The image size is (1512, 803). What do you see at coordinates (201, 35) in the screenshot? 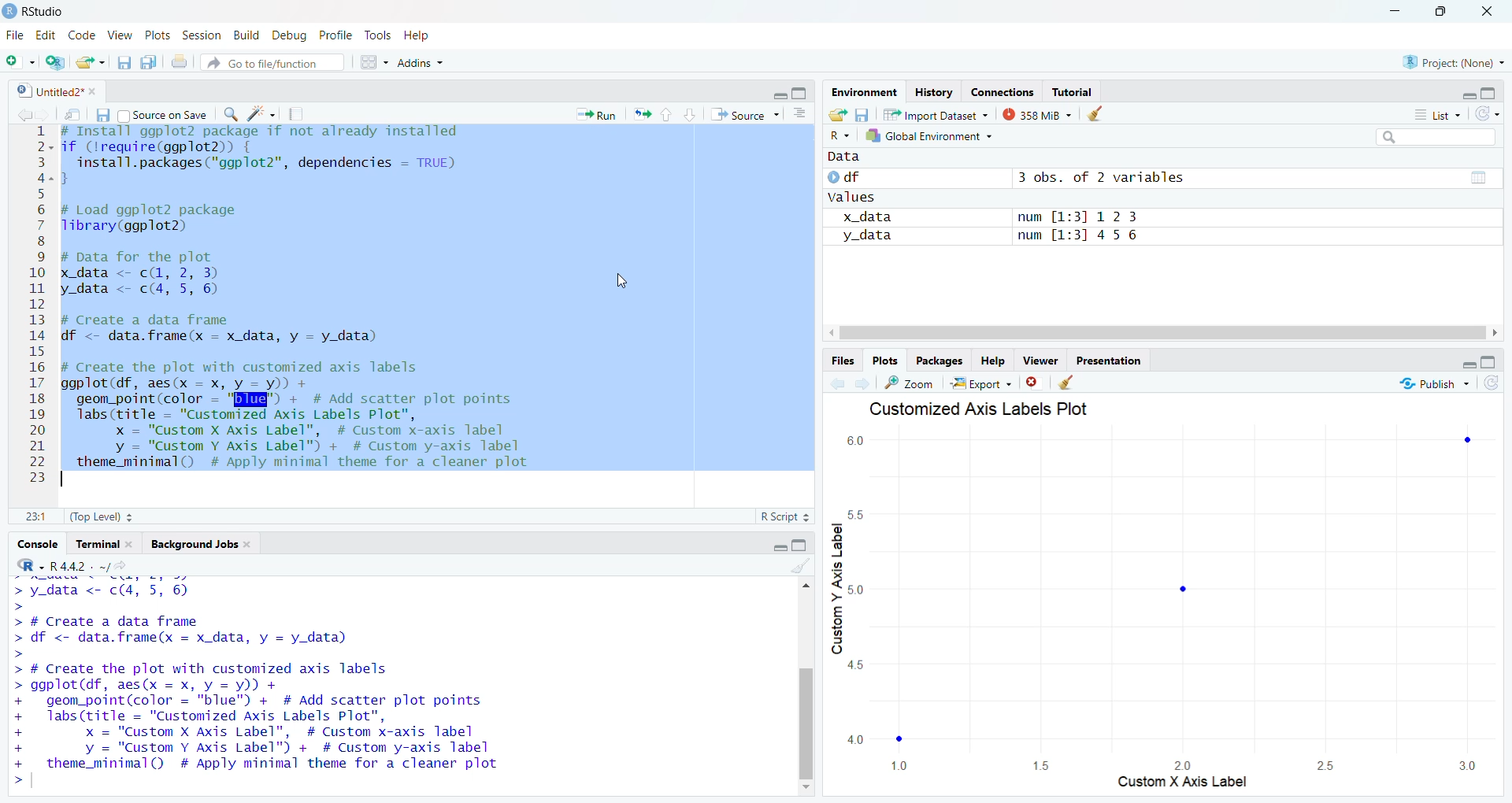
I see `Session` at bounding box center [201, 35].